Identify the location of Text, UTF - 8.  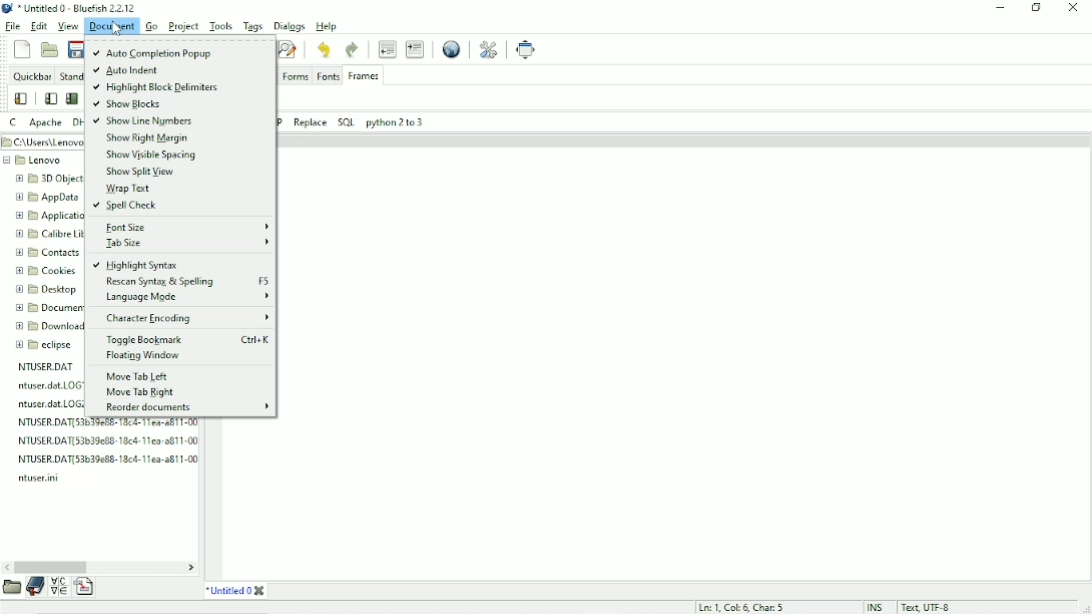
(926, 607).